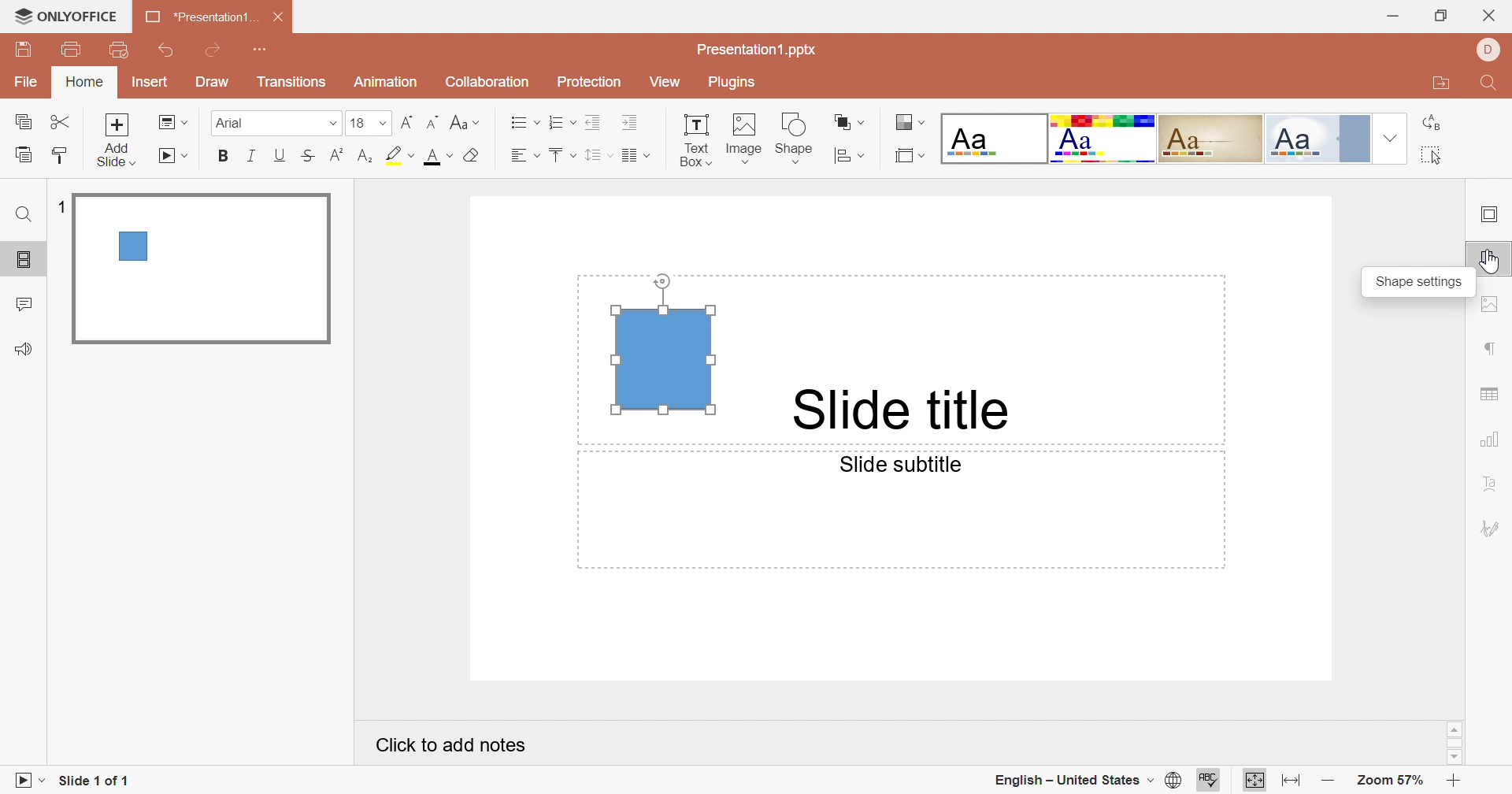  Describe the element at coordinates (1485, 50) in the screenshot. I see `DELL` at that location.